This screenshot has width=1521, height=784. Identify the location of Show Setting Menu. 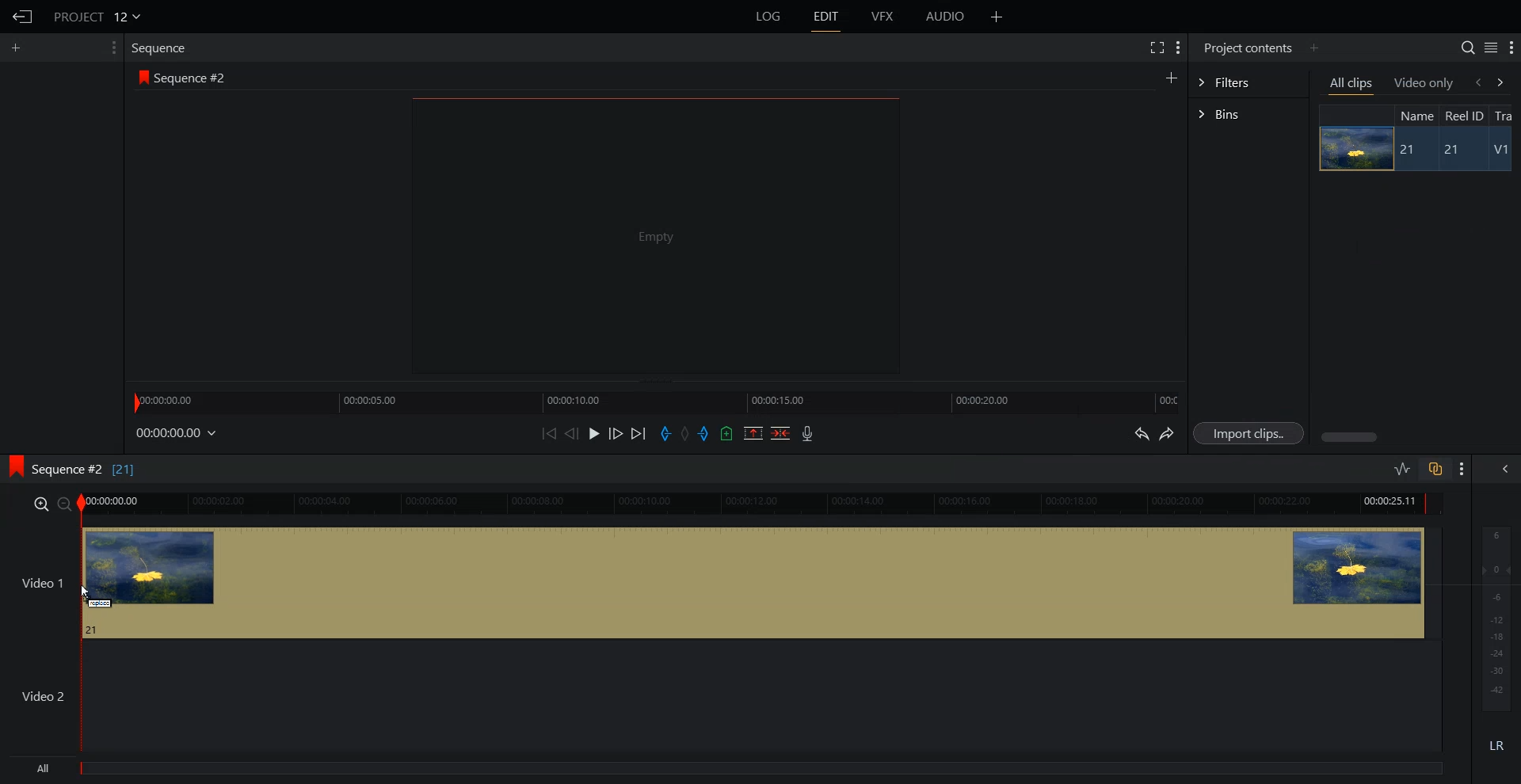
(1511, 48).